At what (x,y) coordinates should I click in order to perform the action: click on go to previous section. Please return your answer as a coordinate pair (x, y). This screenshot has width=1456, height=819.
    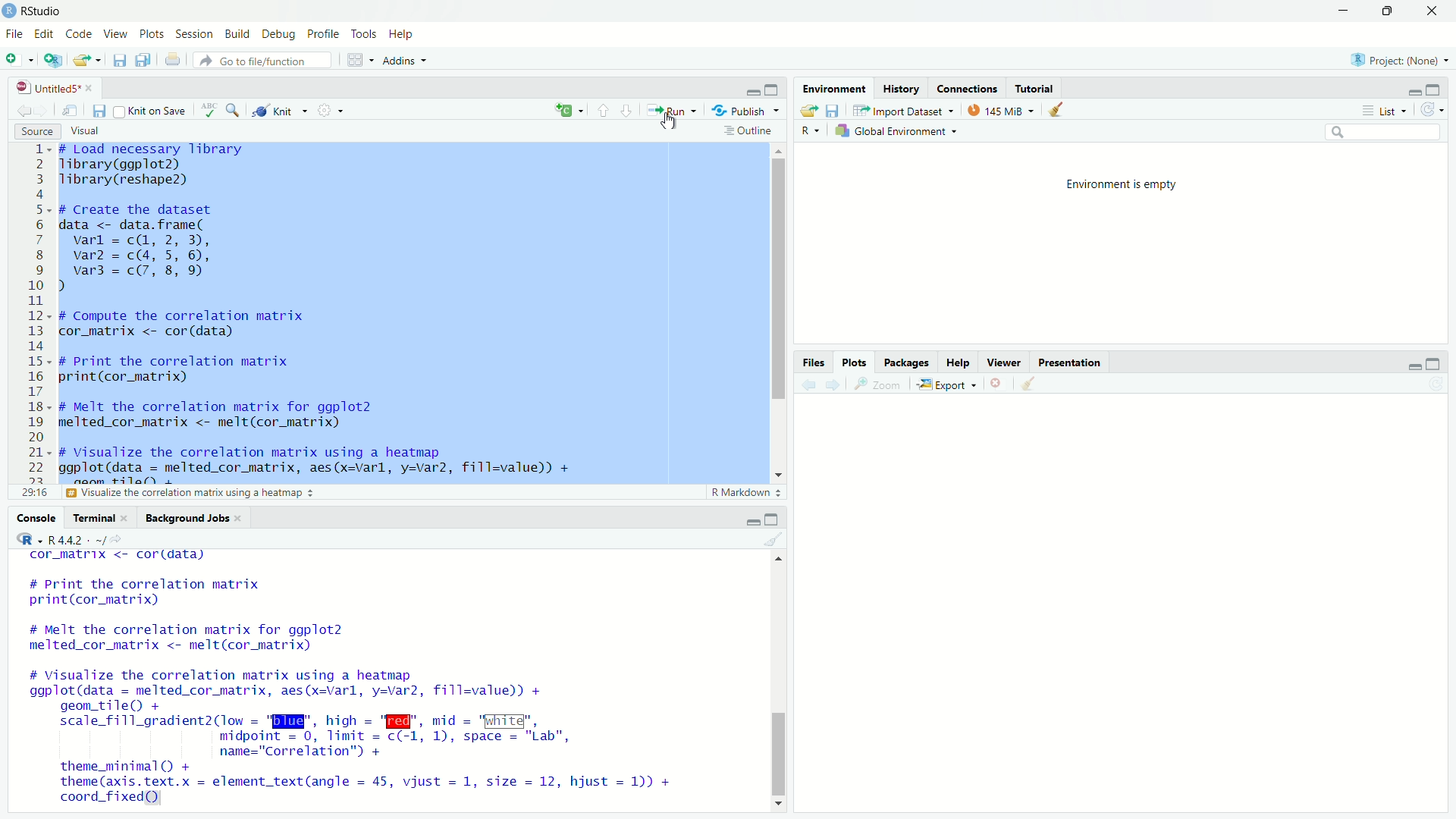
    Looking at the image, I should click on (602, 108).